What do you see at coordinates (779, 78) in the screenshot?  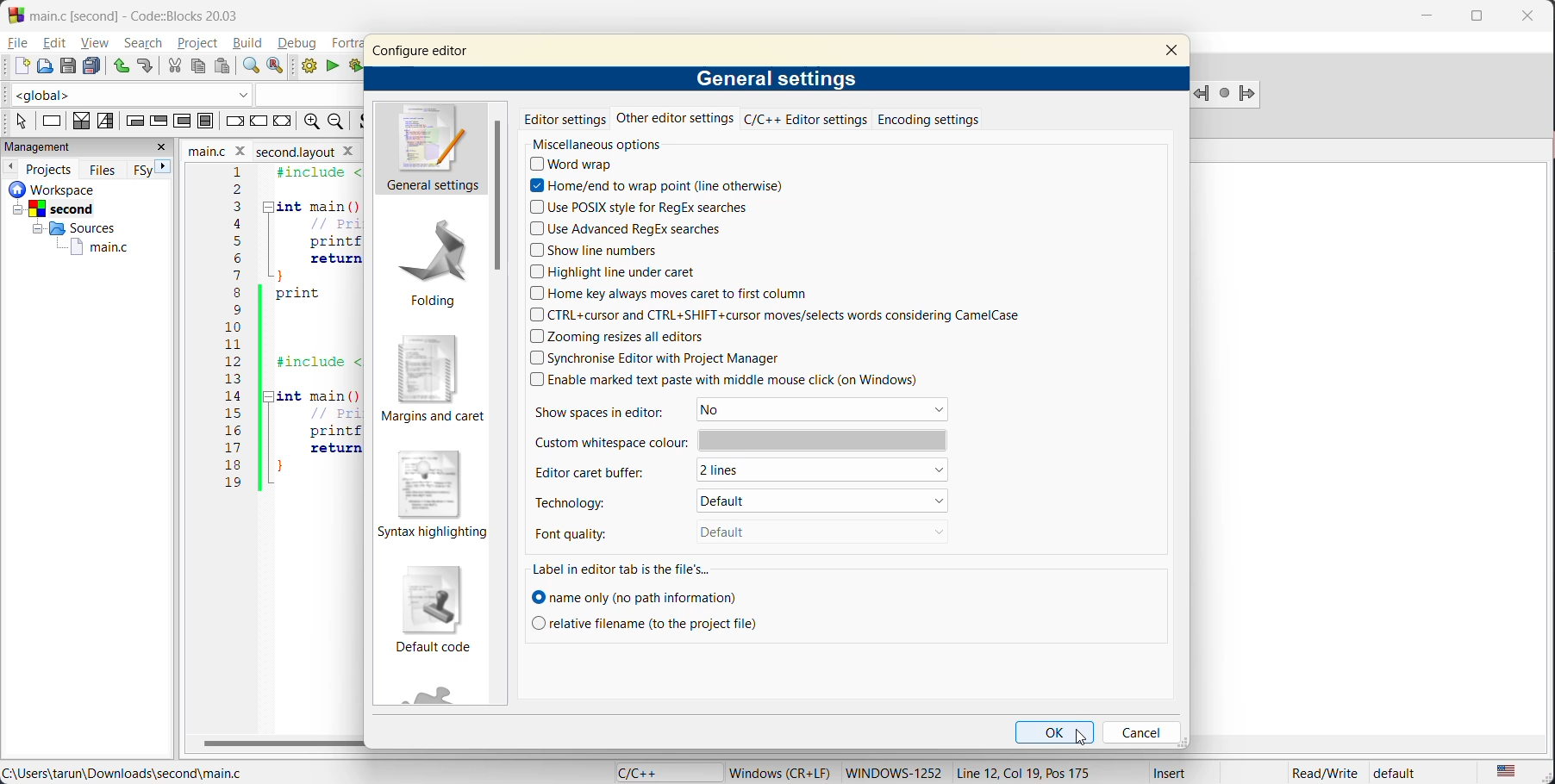 I see `general settings` at bounding box center [779, 78].